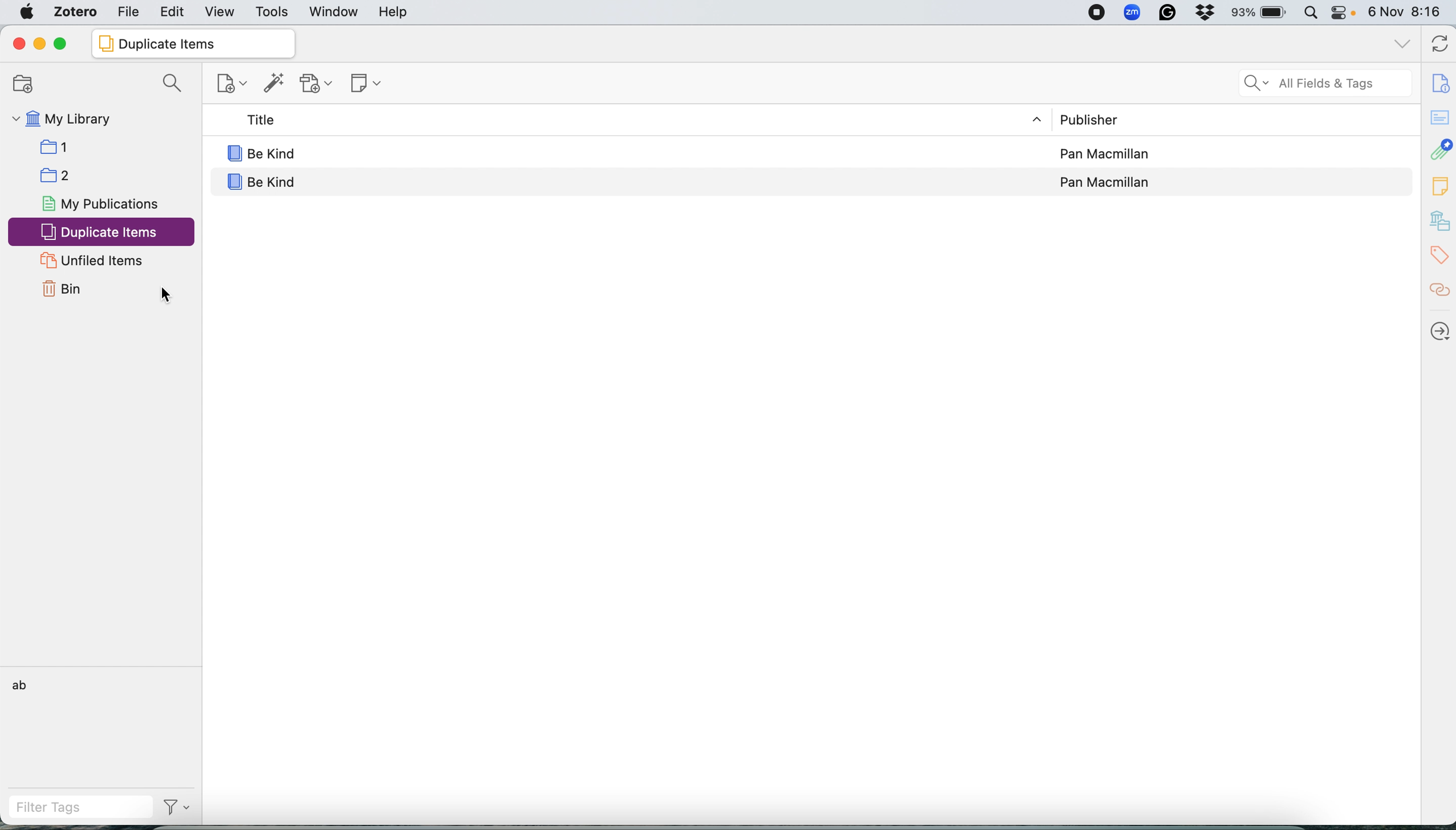 This screenshot has height=830, width=1456. I want to click on locate, so click(1441, 328).